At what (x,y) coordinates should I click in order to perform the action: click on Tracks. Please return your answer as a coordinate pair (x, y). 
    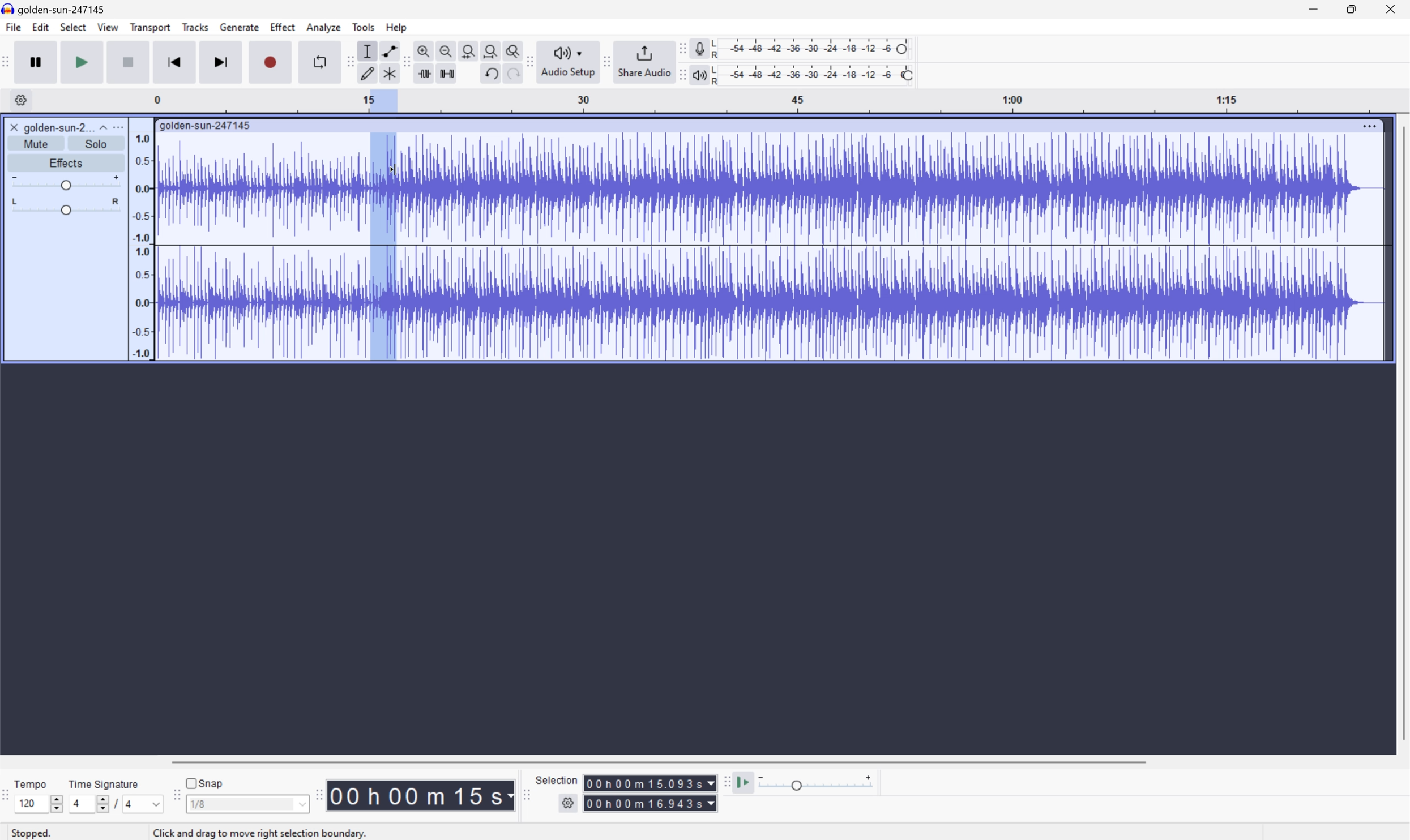
    Looking at the image, I should click on (195, 27).